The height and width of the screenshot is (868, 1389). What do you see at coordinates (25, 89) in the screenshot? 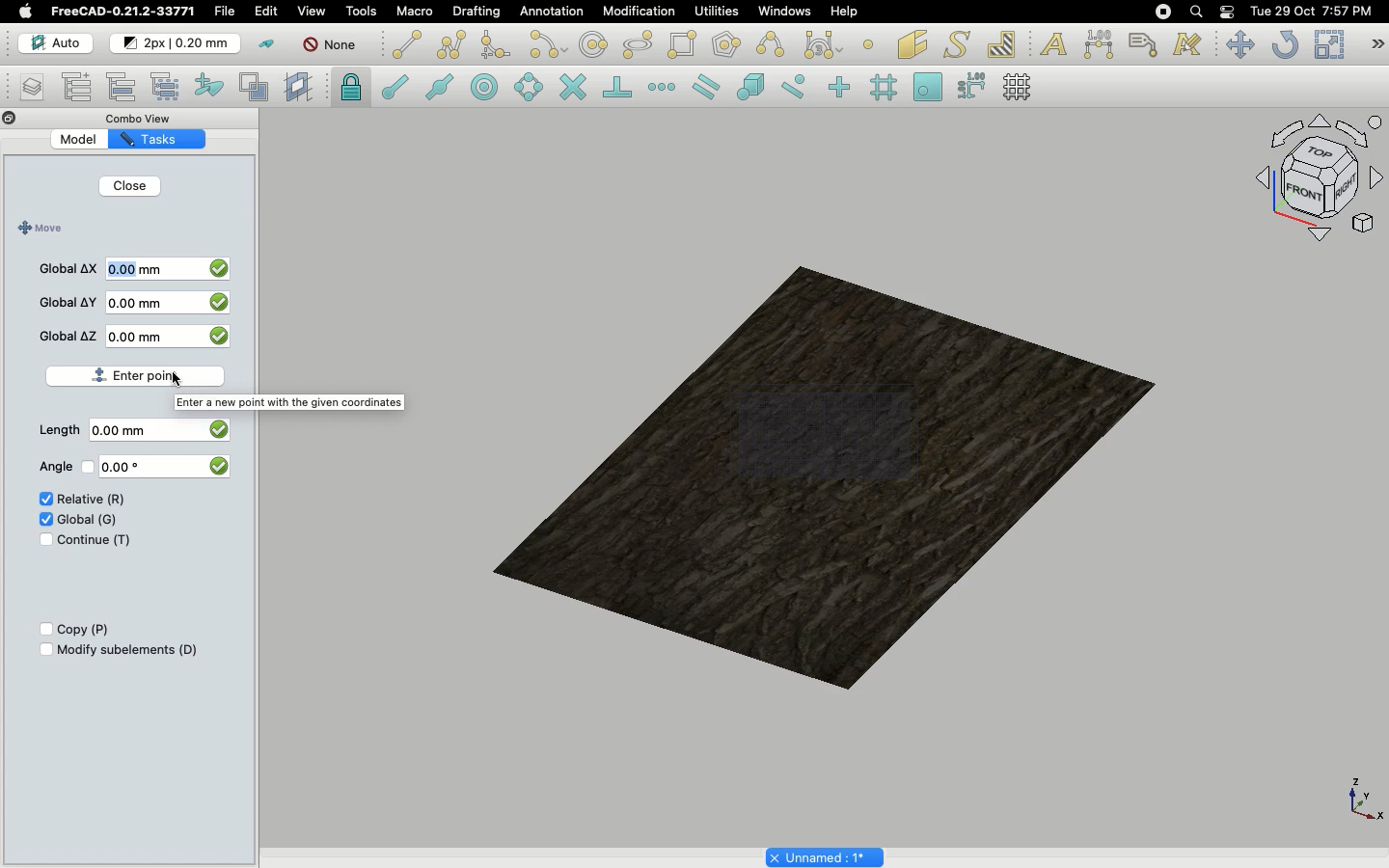
I see `Manage layers` at bounding box center [25, 89].